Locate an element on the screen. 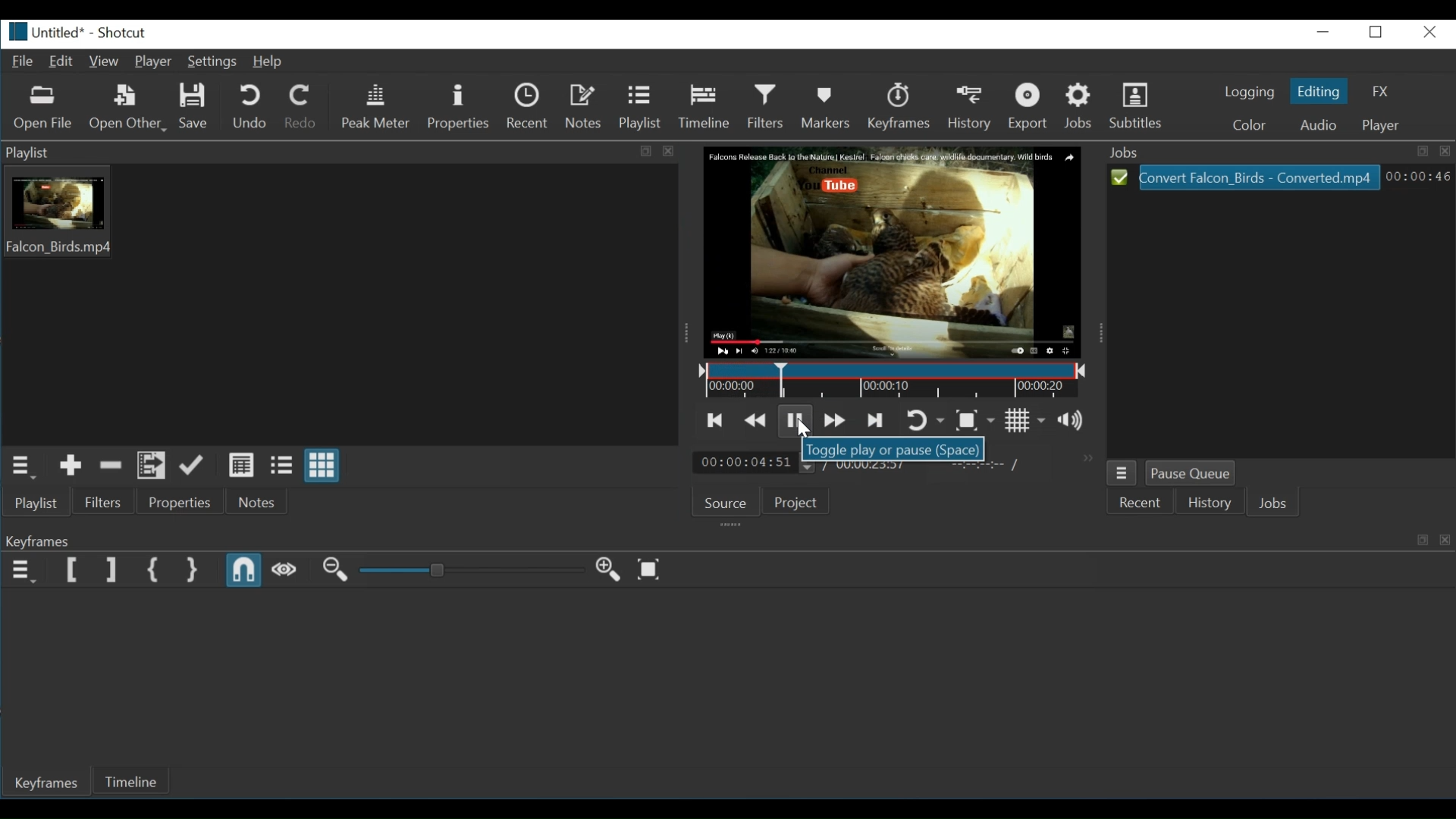 Image resolution: width=1456 pixels, height=819 pixels. Filter is located at coordinates (106, 500).